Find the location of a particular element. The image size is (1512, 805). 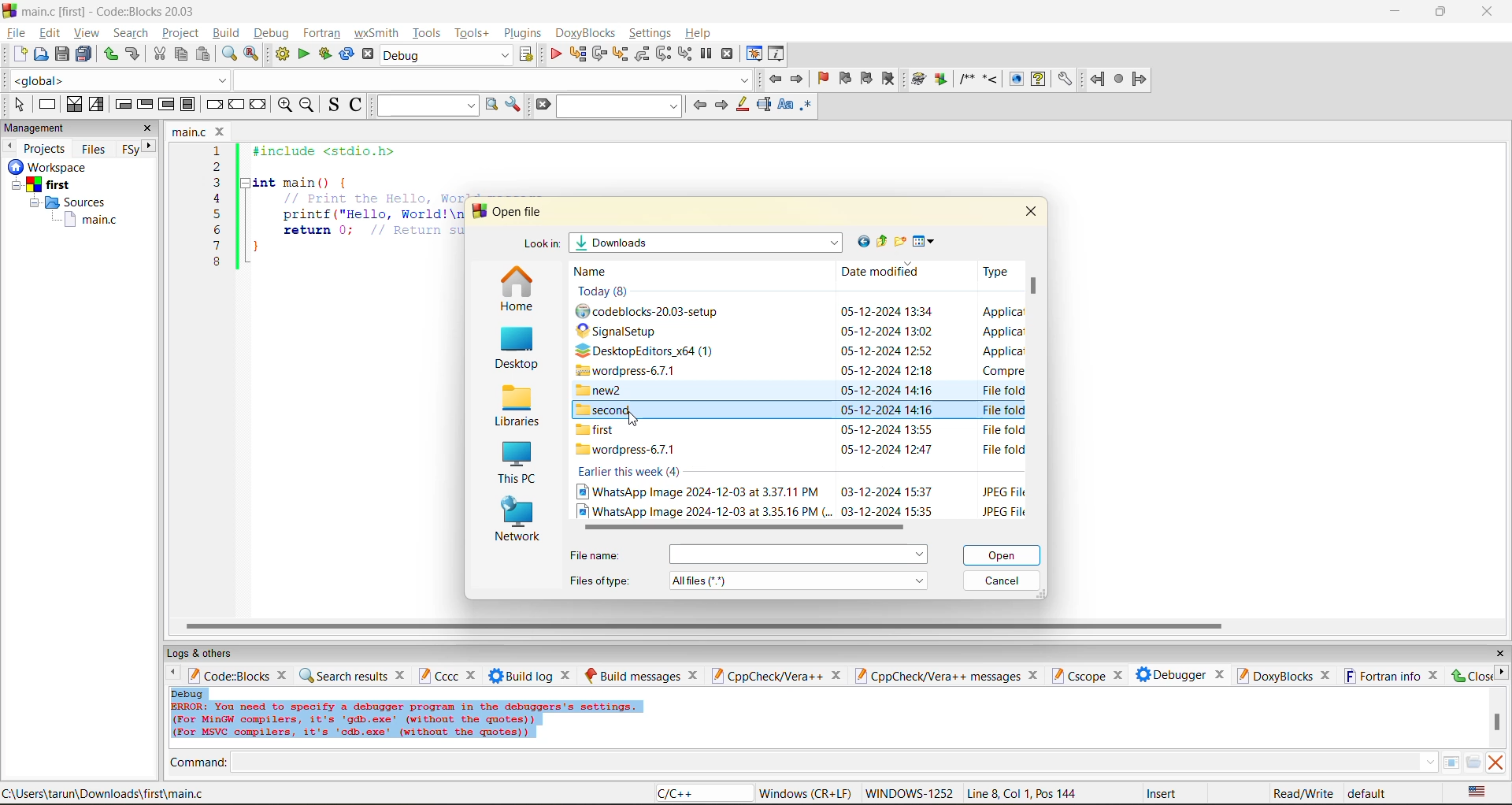

 is located at coordinates (44, 167).